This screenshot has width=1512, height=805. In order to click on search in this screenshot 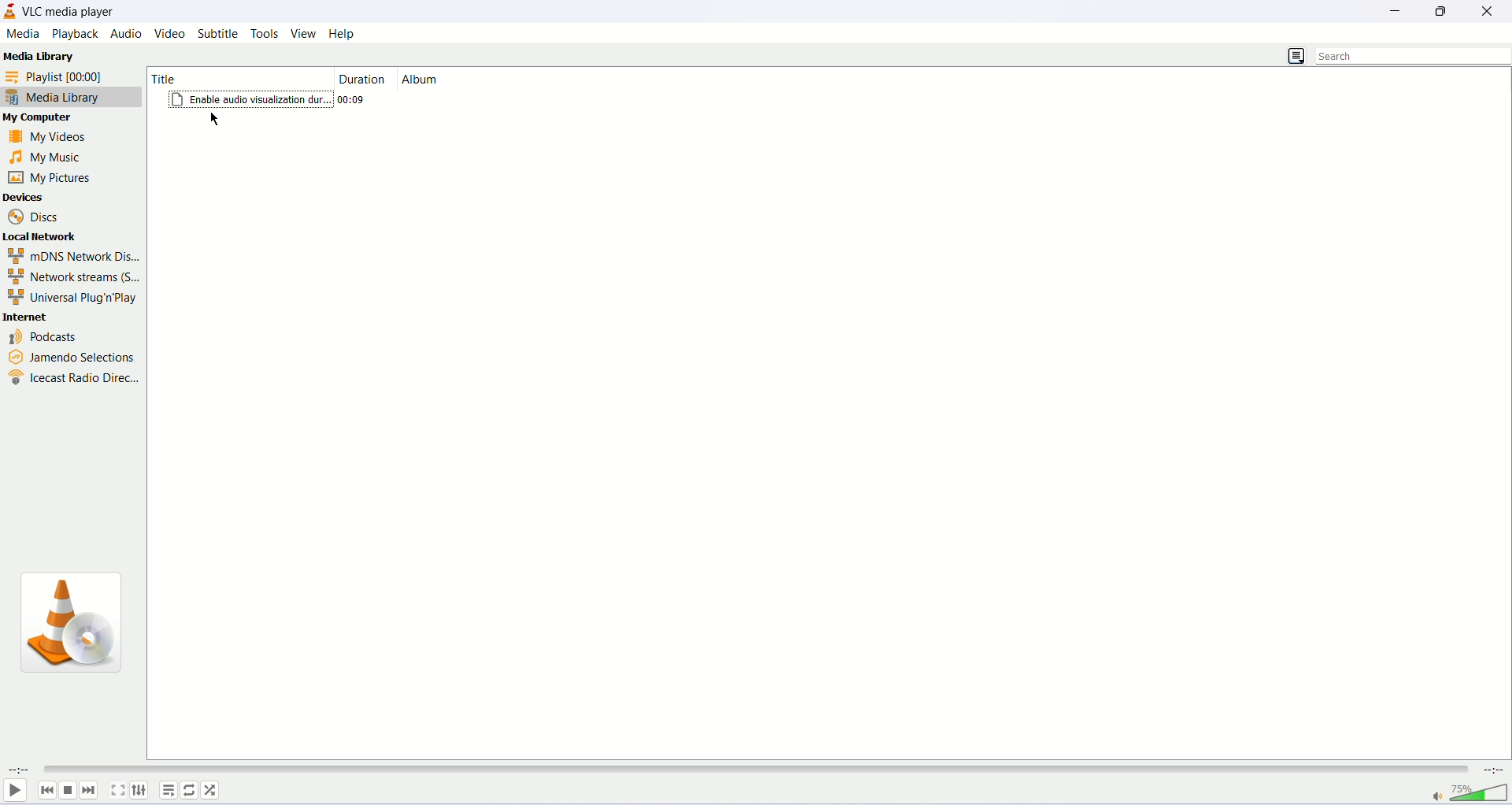, I will do `click(1414, 56)`.